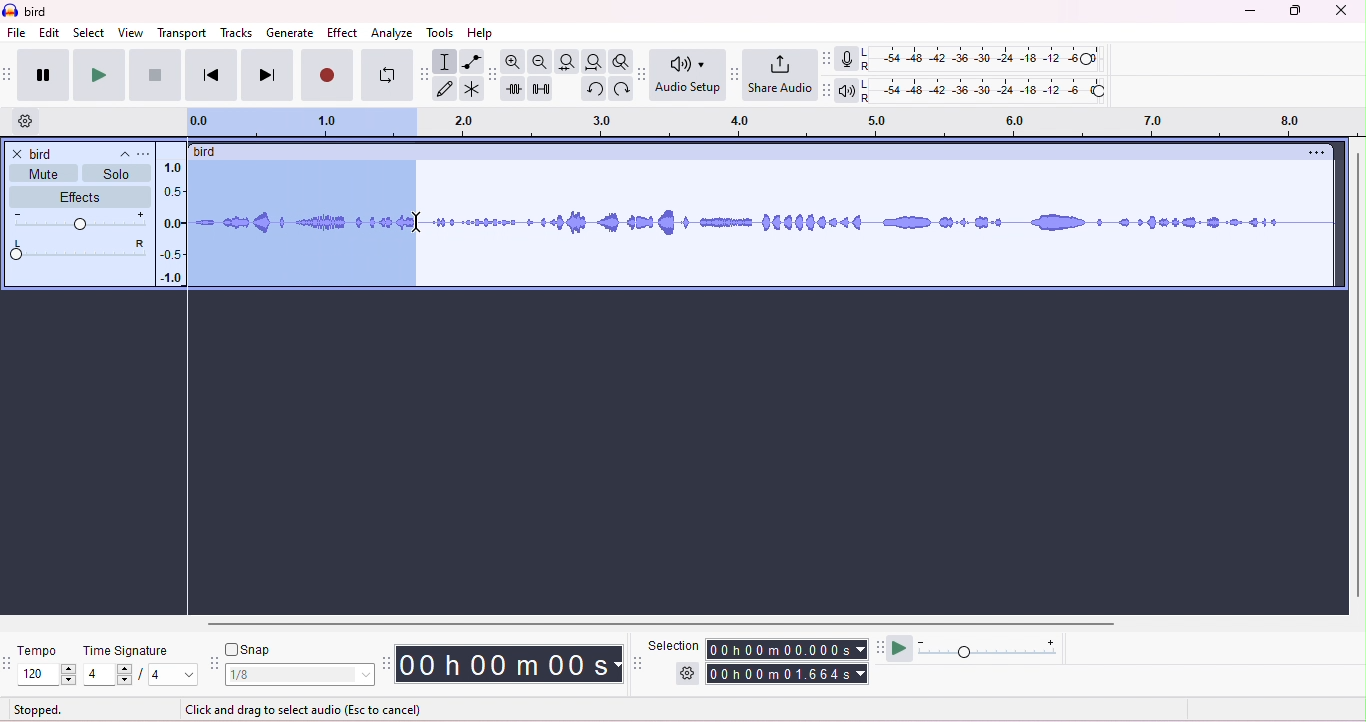 This screenshot has height=722, width=1366. I want to click on file, so click(16, 32).